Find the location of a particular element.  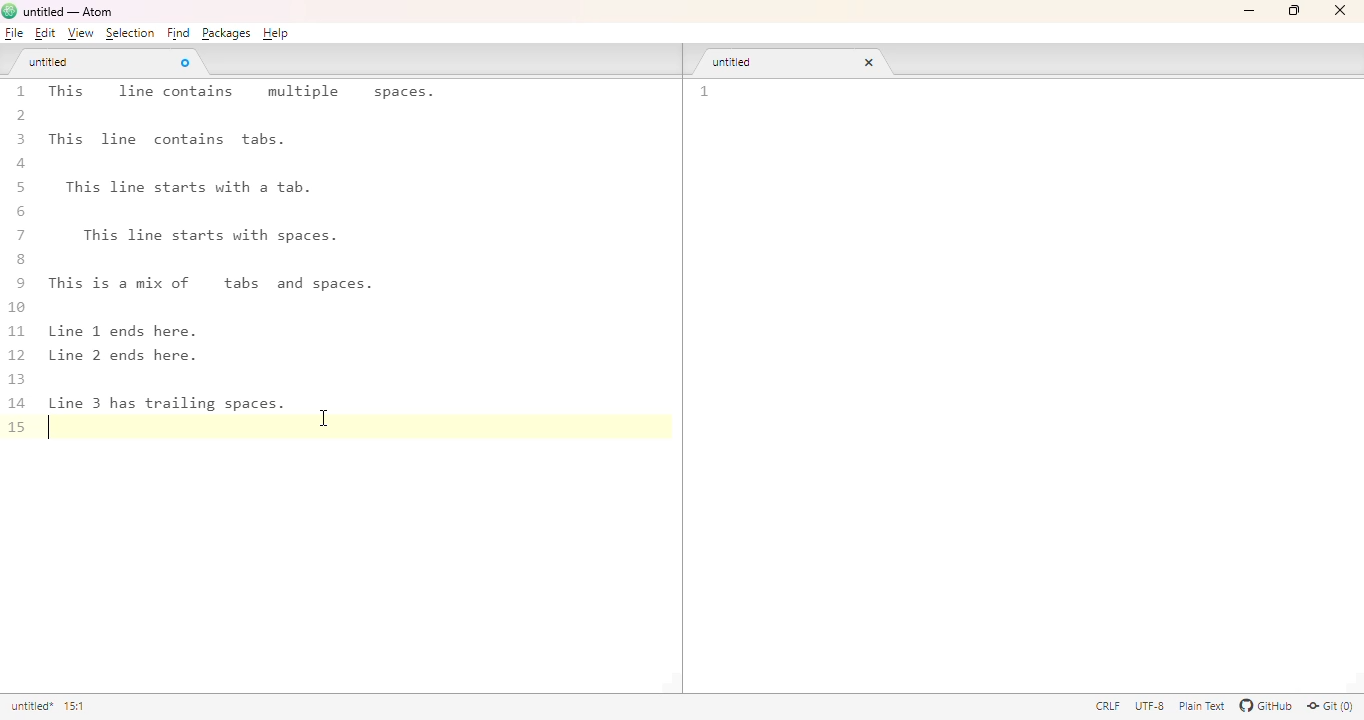

close tab is located at coordinates (185, 62).